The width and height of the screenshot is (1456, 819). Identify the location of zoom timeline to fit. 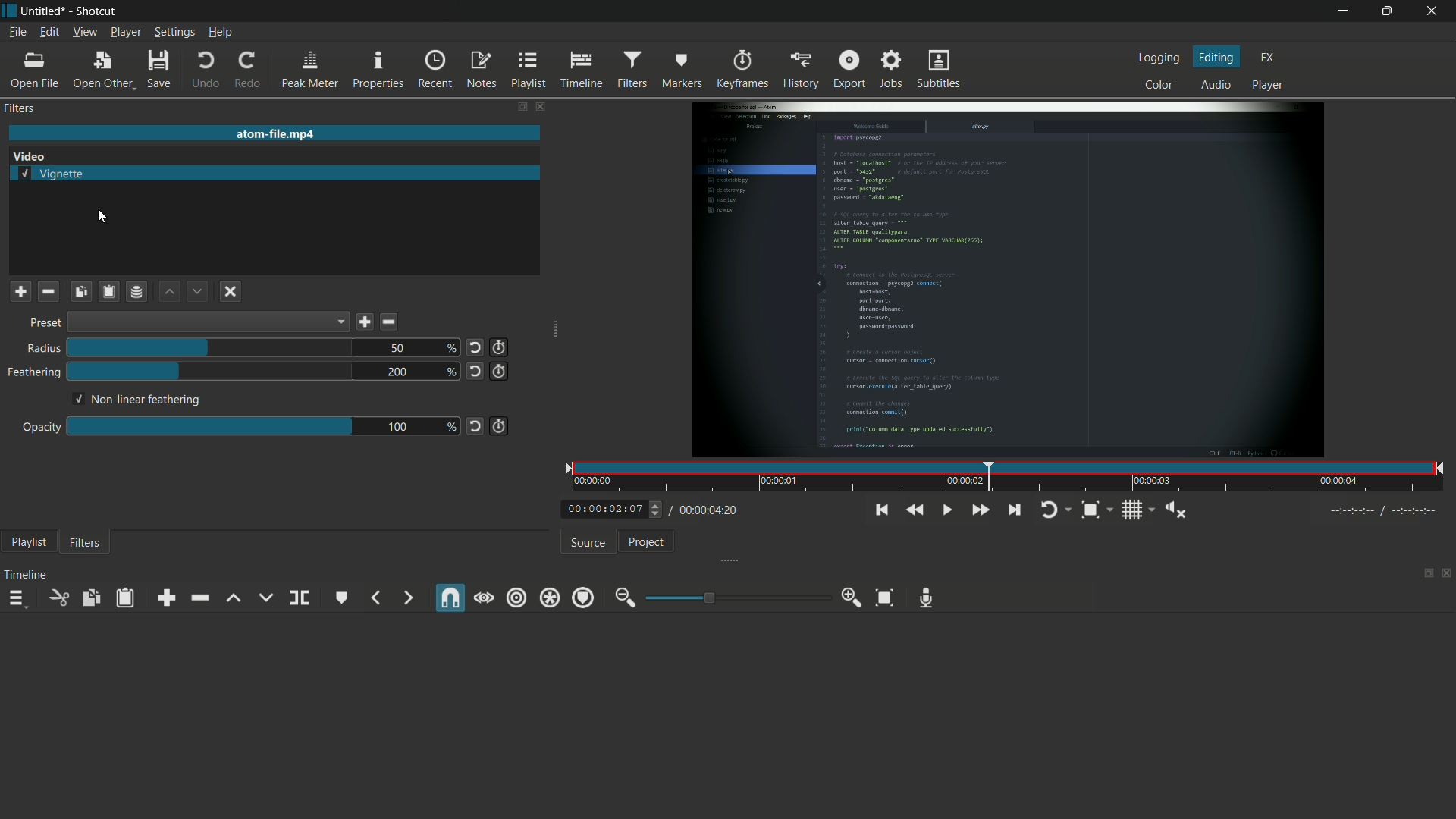
(885, 598).